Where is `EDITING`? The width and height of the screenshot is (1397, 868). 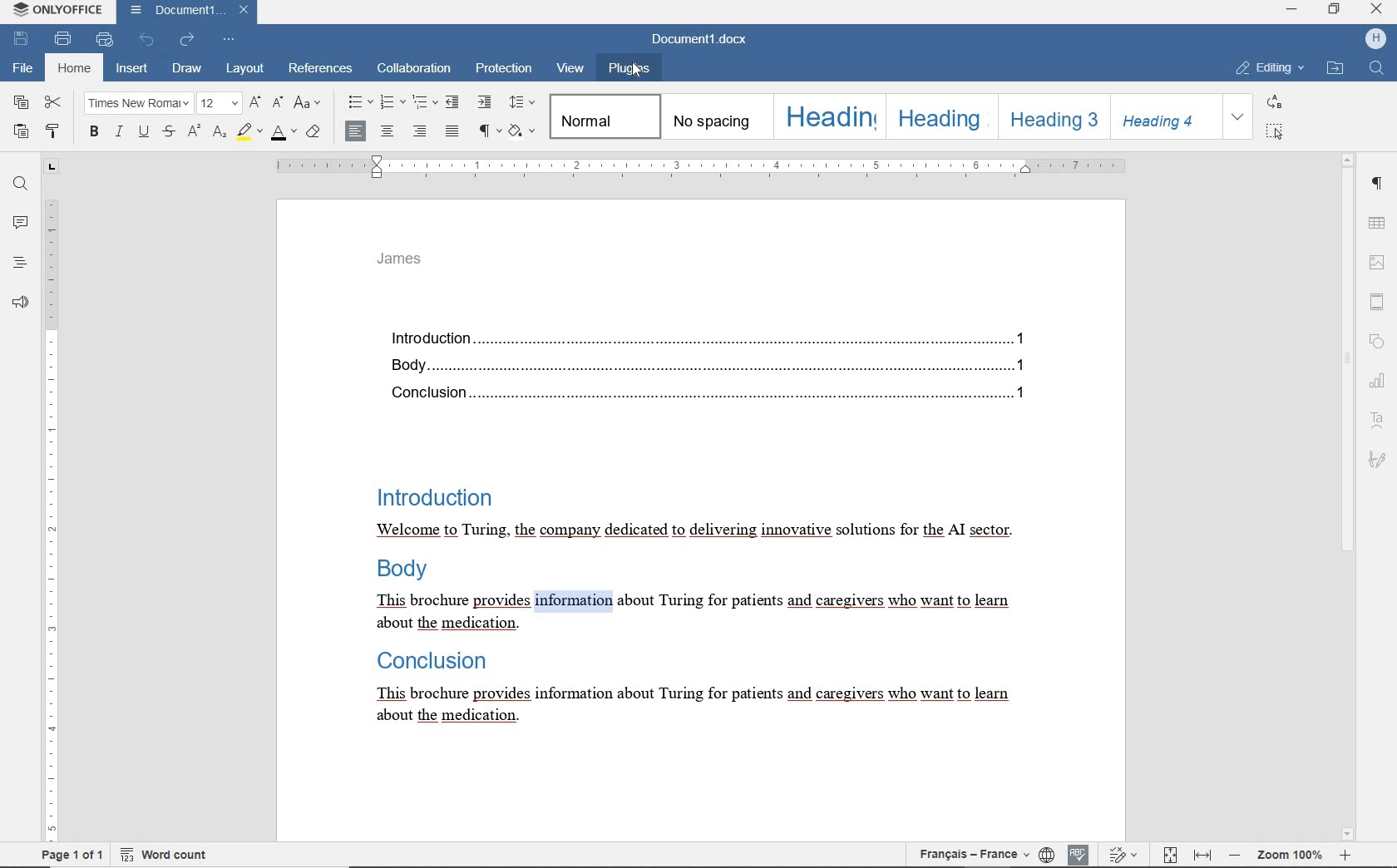 EDITING is located at coordinates (1267, 69).